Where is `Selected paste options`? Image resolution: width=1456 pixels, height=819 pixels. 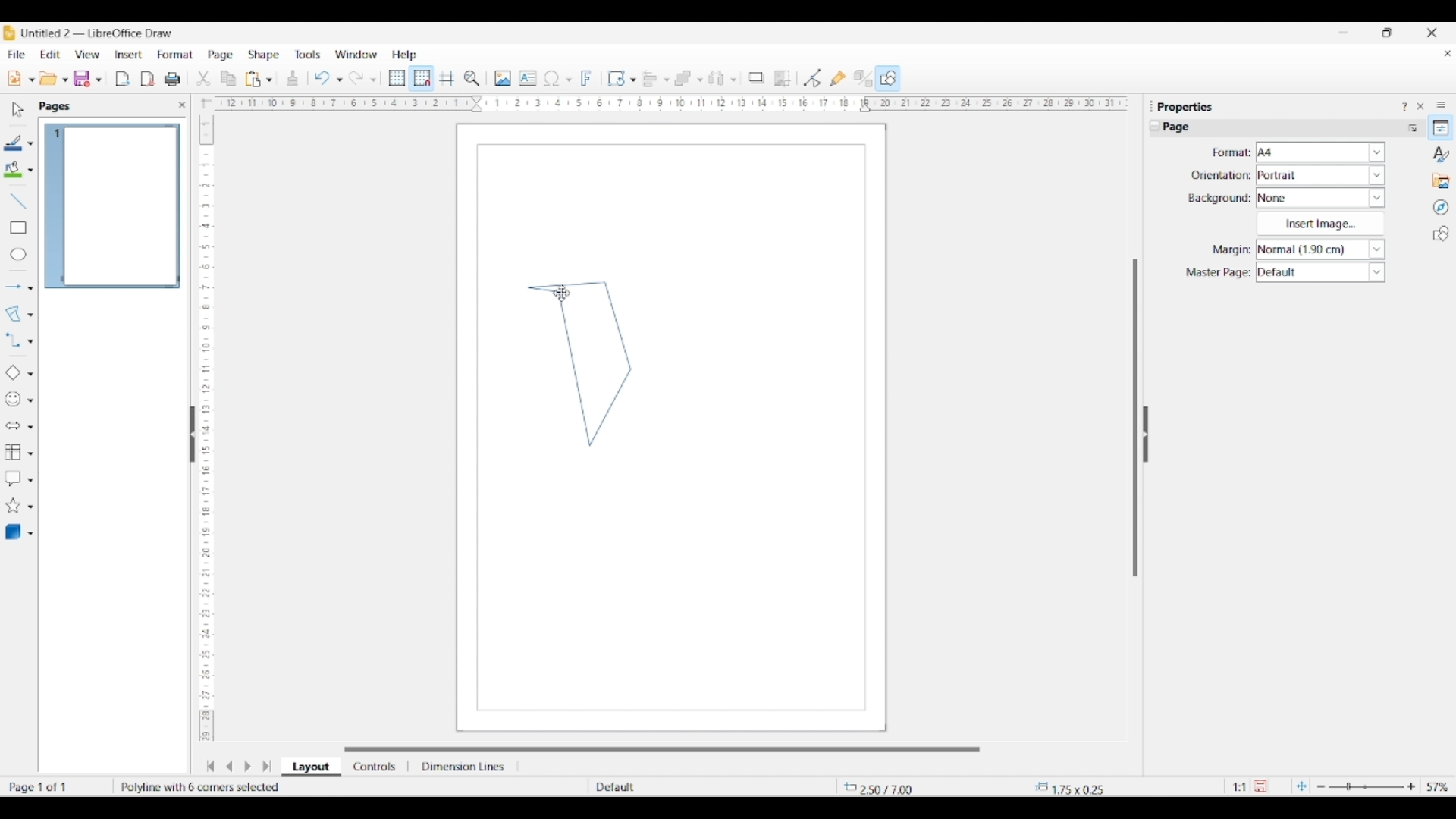 Selected paste options is located at coordinates (253, 79).